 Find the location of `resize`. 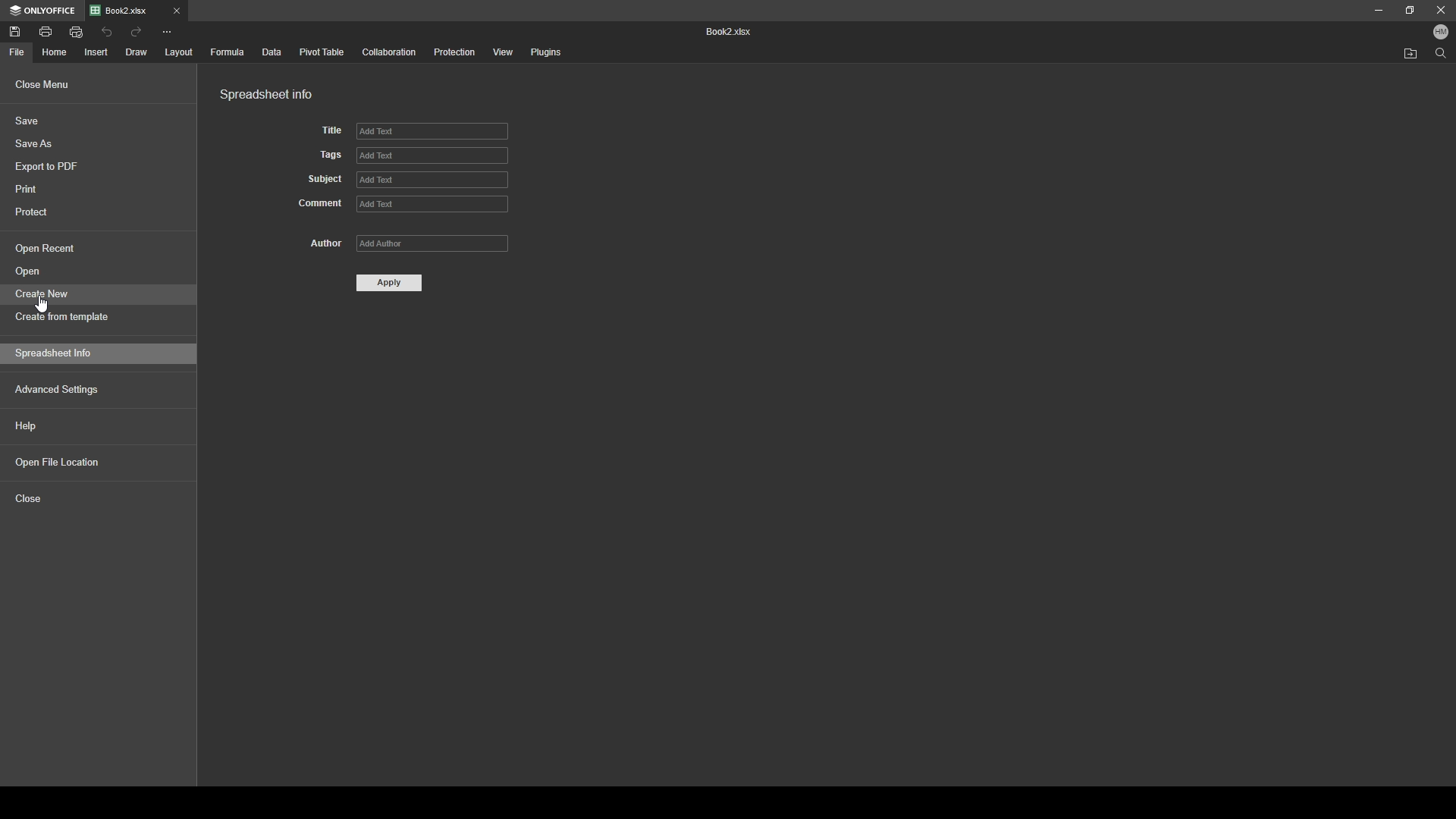

resize is located at coordinates (1411, 9).